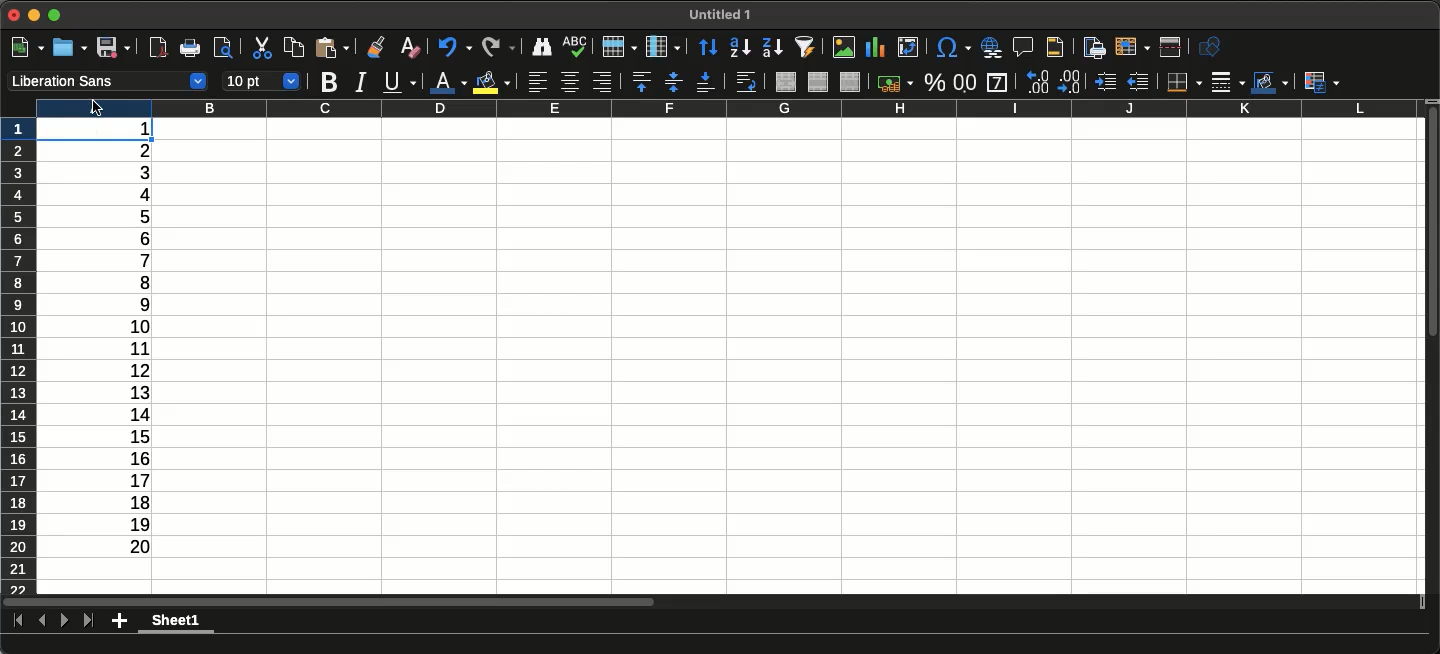 The height and width of the screenshot is (654, 1440). What do you see at coordinates (1270, 83) in the screenshot?
I see `Border color` at bounding box center [1270, 83].